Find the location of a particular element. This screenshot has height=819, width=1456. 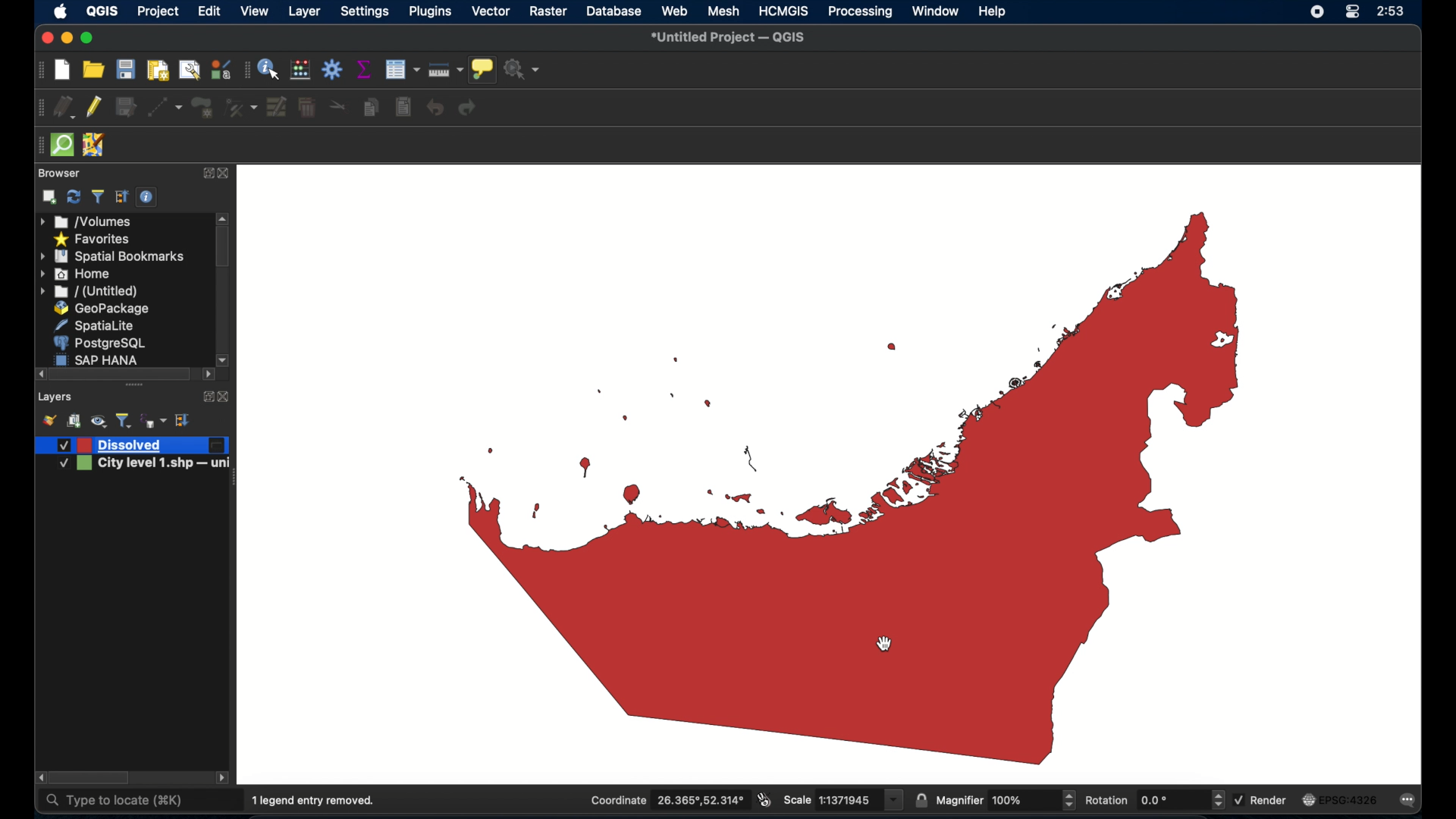

browser is located at coordinates (57, 172).